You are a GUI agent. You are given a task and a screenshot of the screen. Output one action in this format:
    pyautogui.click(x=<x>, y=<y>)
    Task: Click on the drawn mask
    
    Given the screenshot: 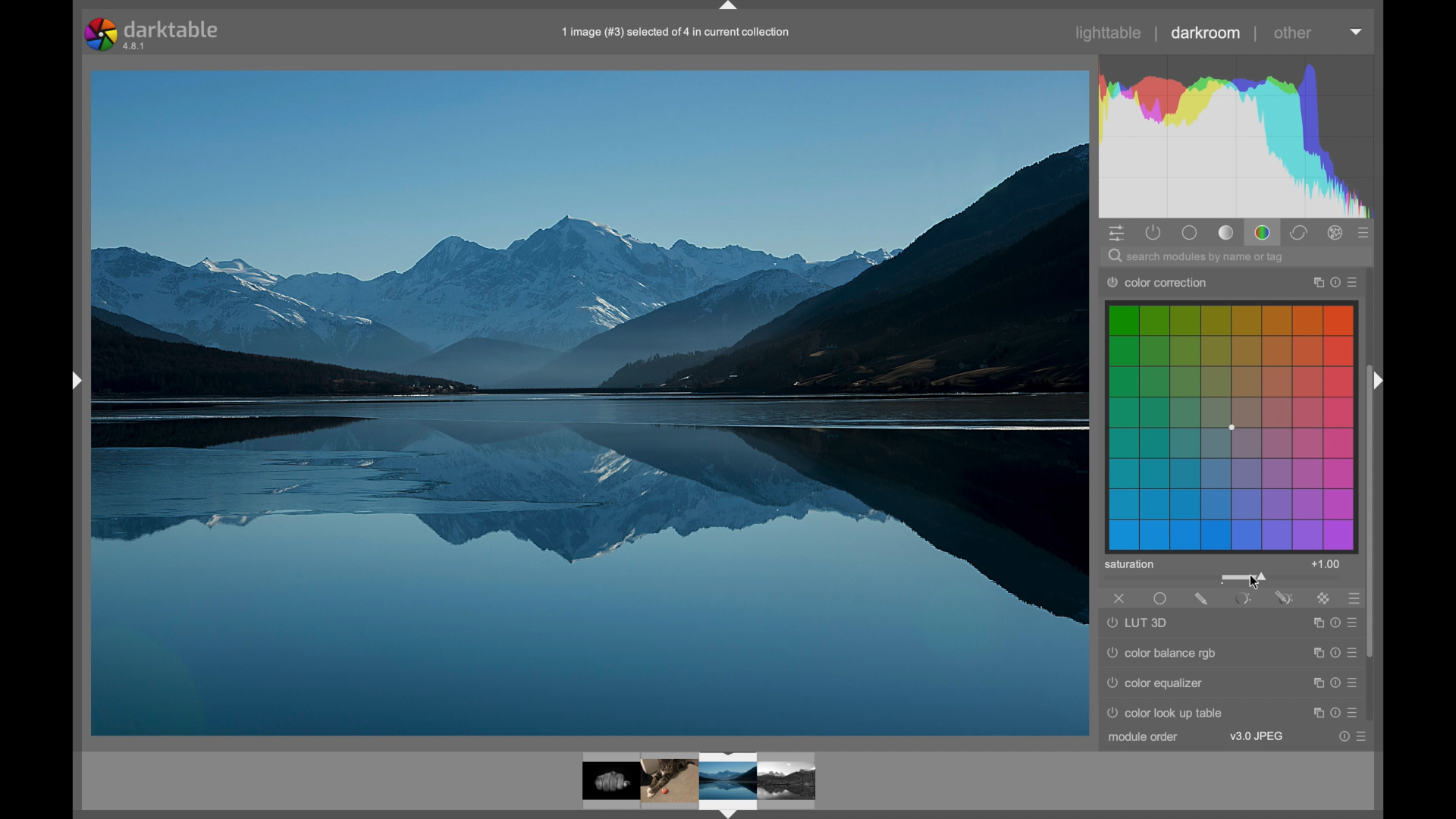 What is the action you would take?
    pyautogui.click(x=1202, y=599)
    